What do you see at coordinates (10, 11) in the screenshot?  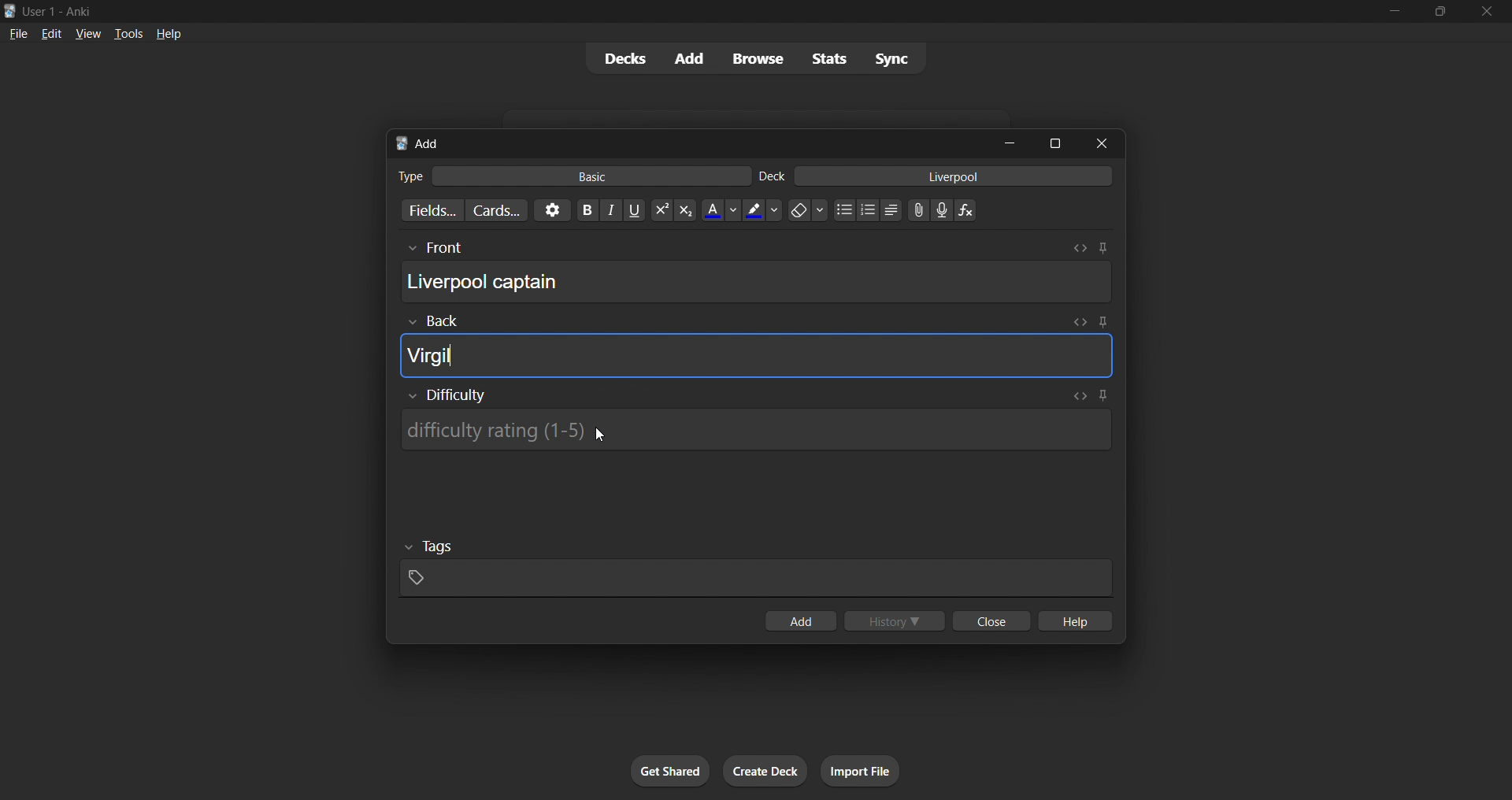 I see `Anki logo` at bounding box center [10, 11].